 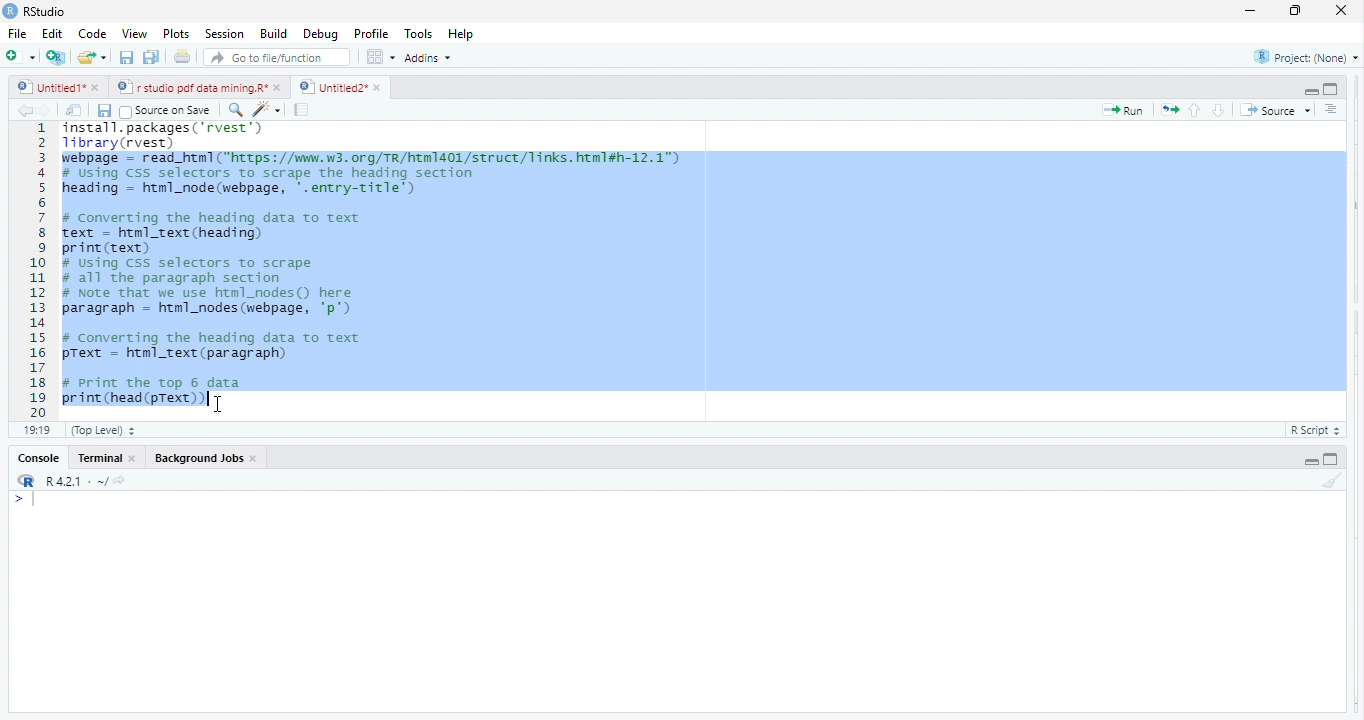 I want to click on save current document, so click(x=104, y=112).